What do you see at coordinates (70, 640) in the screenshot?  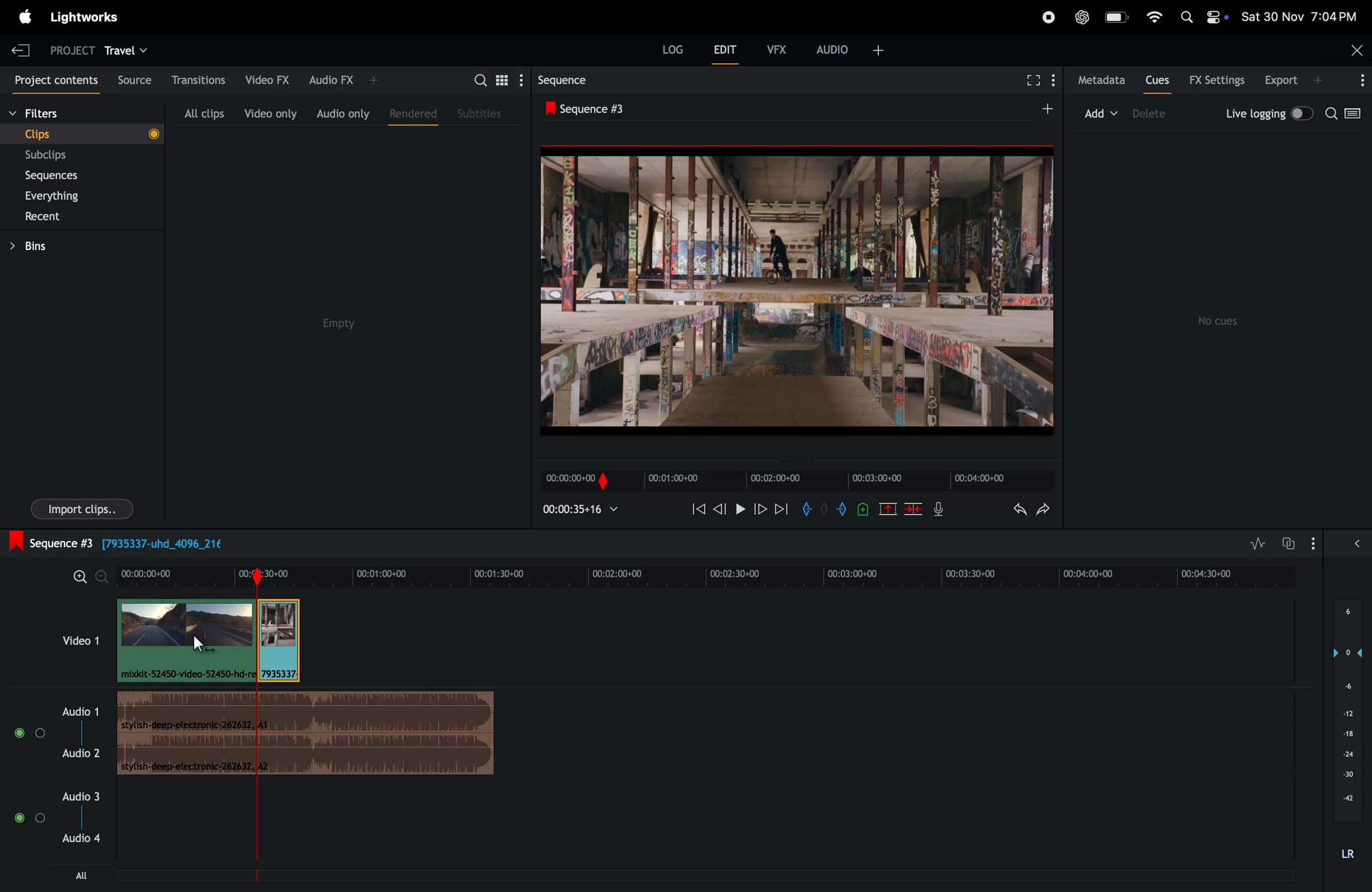 I see `video` at bounding box center [70, 640].